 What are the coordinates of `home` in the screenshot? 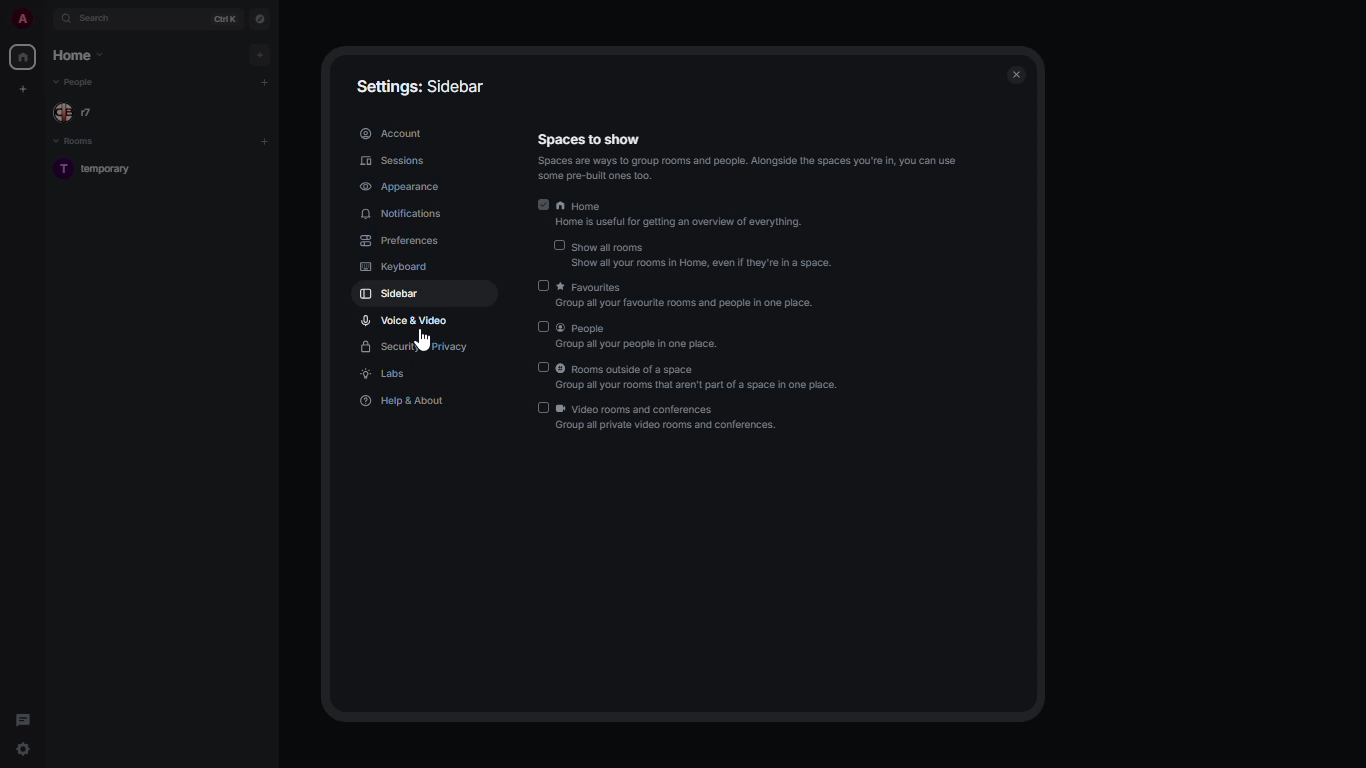 It's located at (679, 214).